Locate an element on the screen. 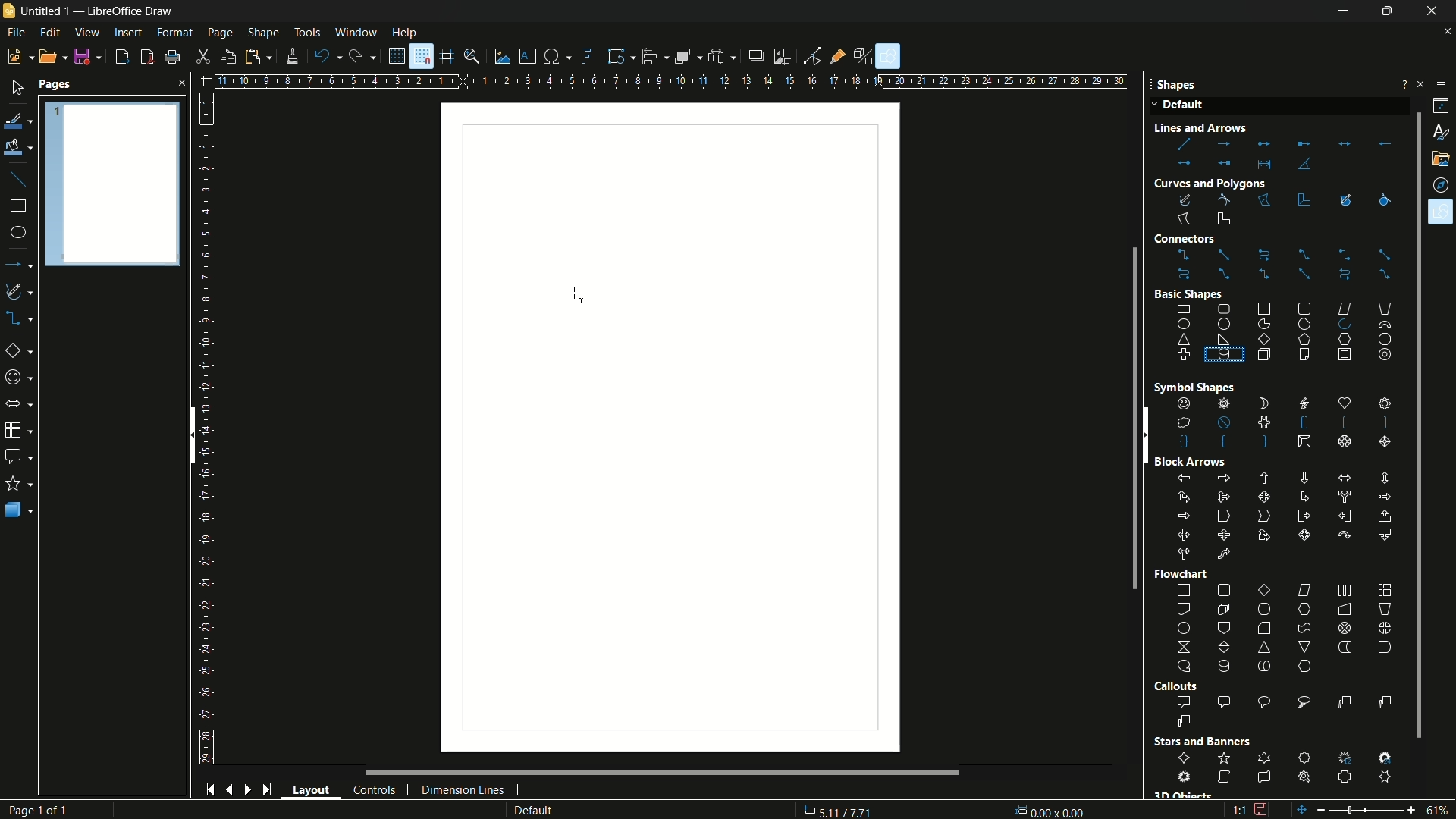  show gluepoint functions is located at coordinates (839, 55).